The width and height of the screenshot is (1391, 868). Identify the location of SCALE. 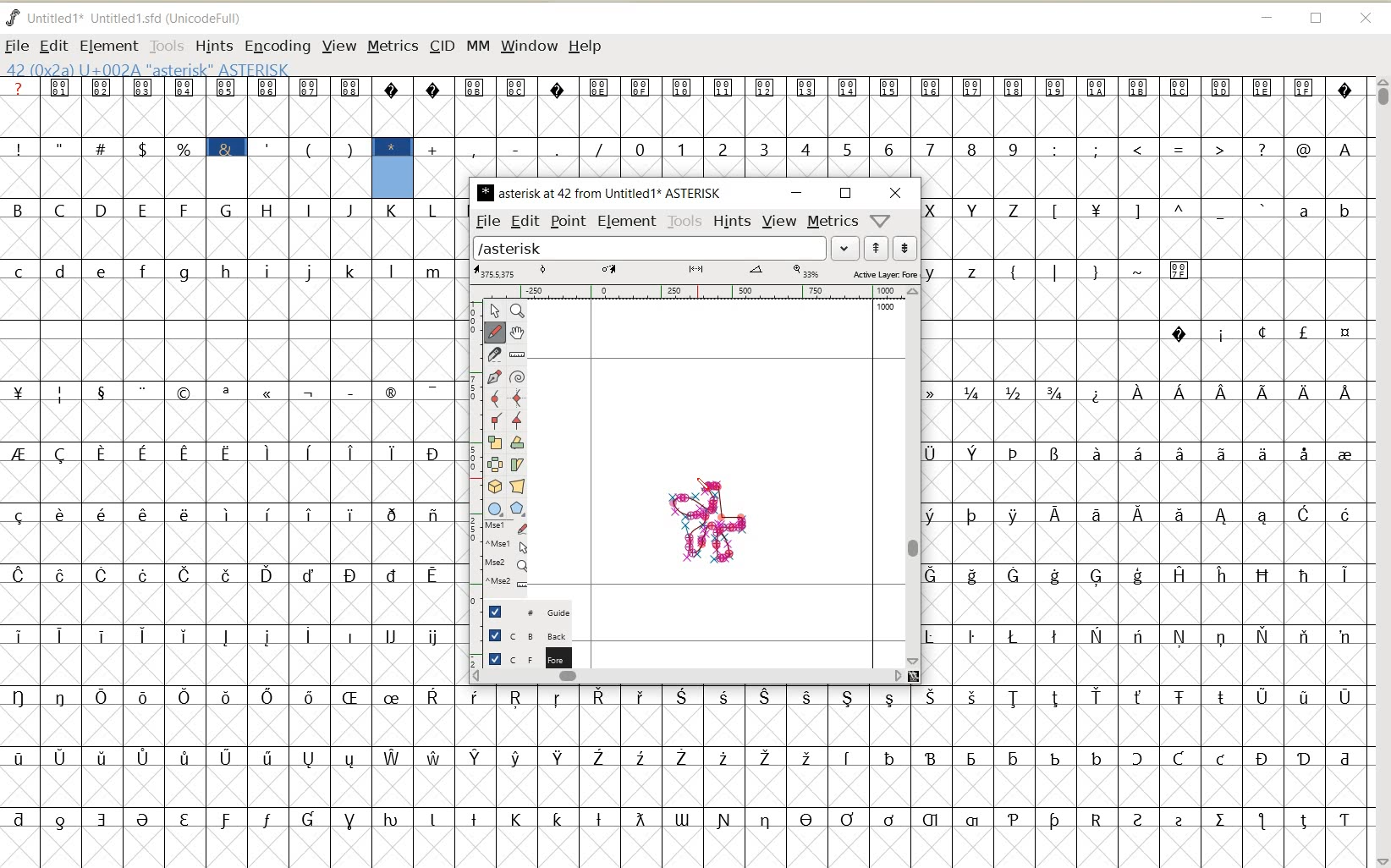
(476, 448).